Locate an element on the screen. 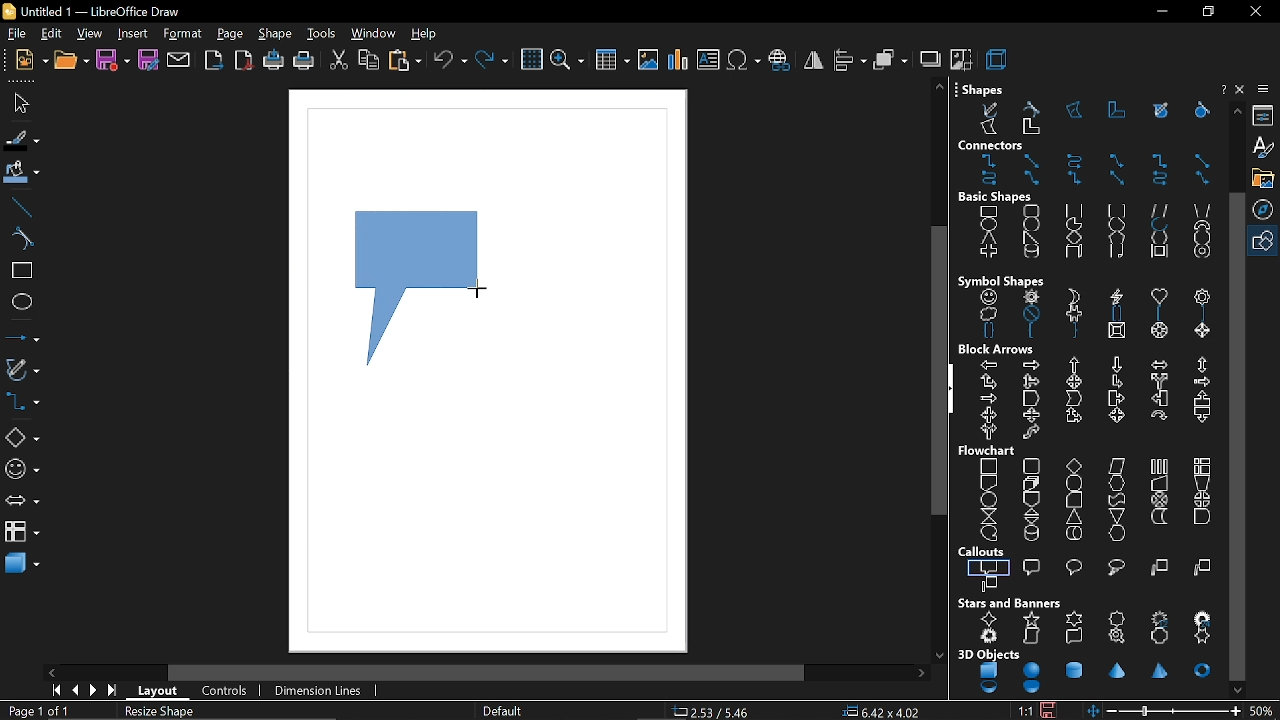  current page is located at coordinates (40, 712).